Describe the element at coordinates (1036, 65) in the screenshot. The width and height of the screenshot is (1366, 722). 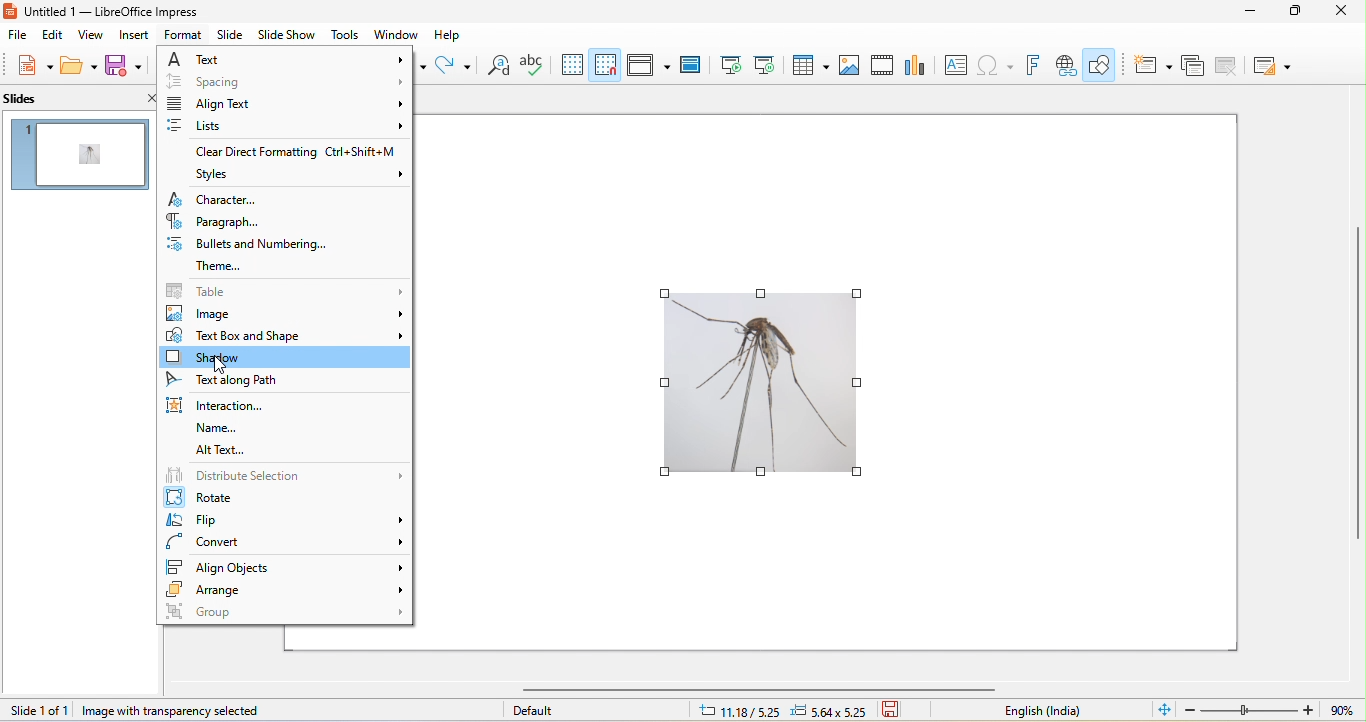
I see `fontwork text` at that location.